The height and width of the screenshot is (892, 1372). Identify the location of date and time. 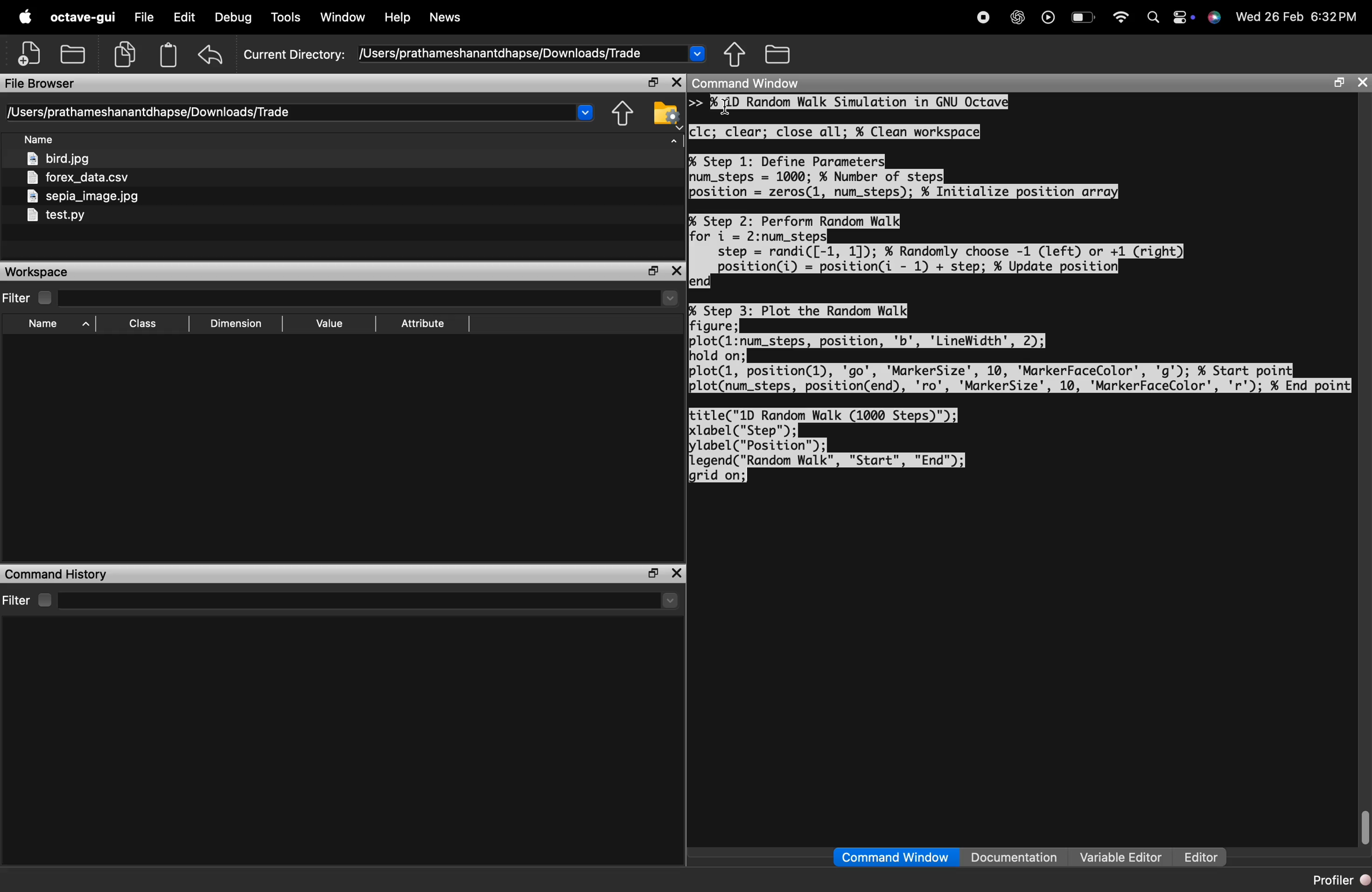
(1299, 16).